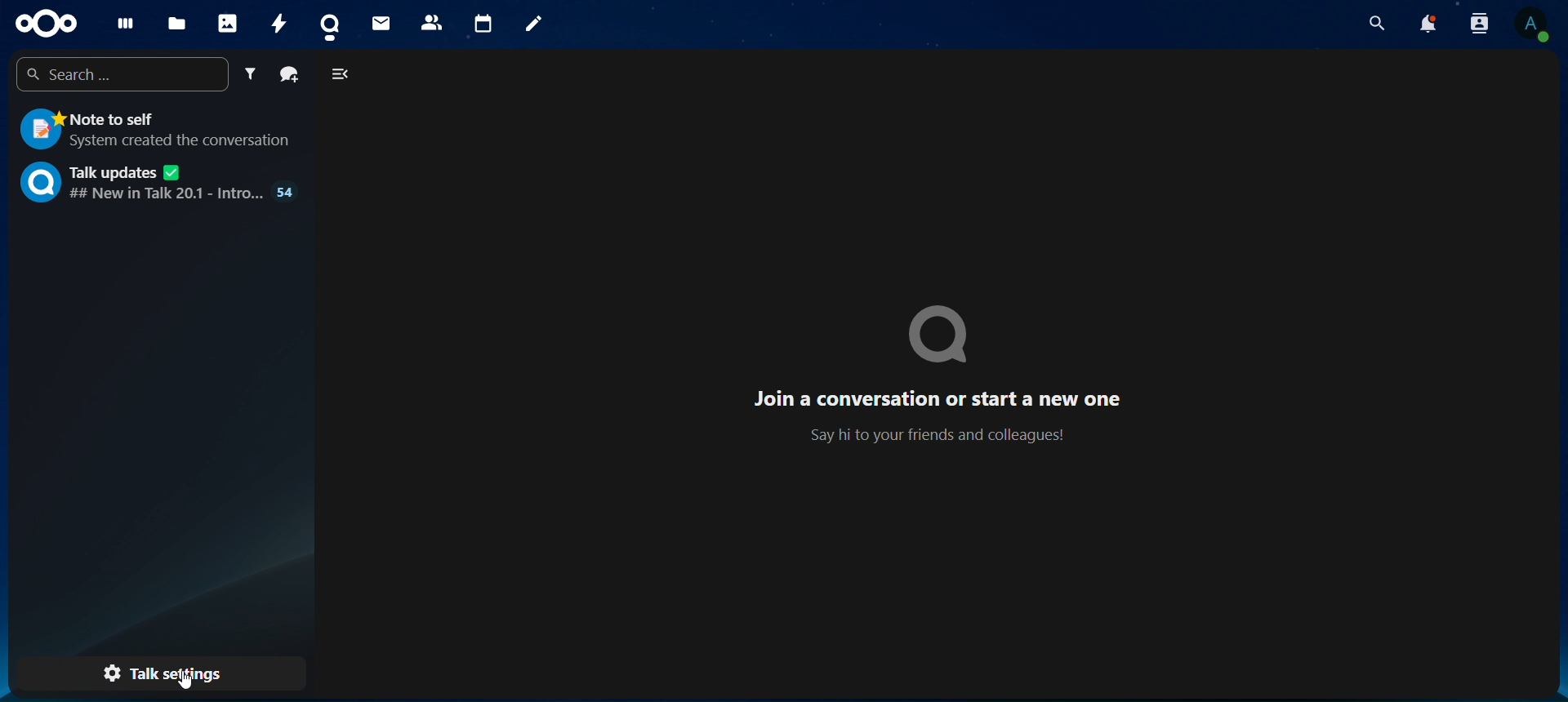 The image size is (1568, 702). Describe the element at coordinates (156, 184) in the screenshot. I see `talk updates` at that location.